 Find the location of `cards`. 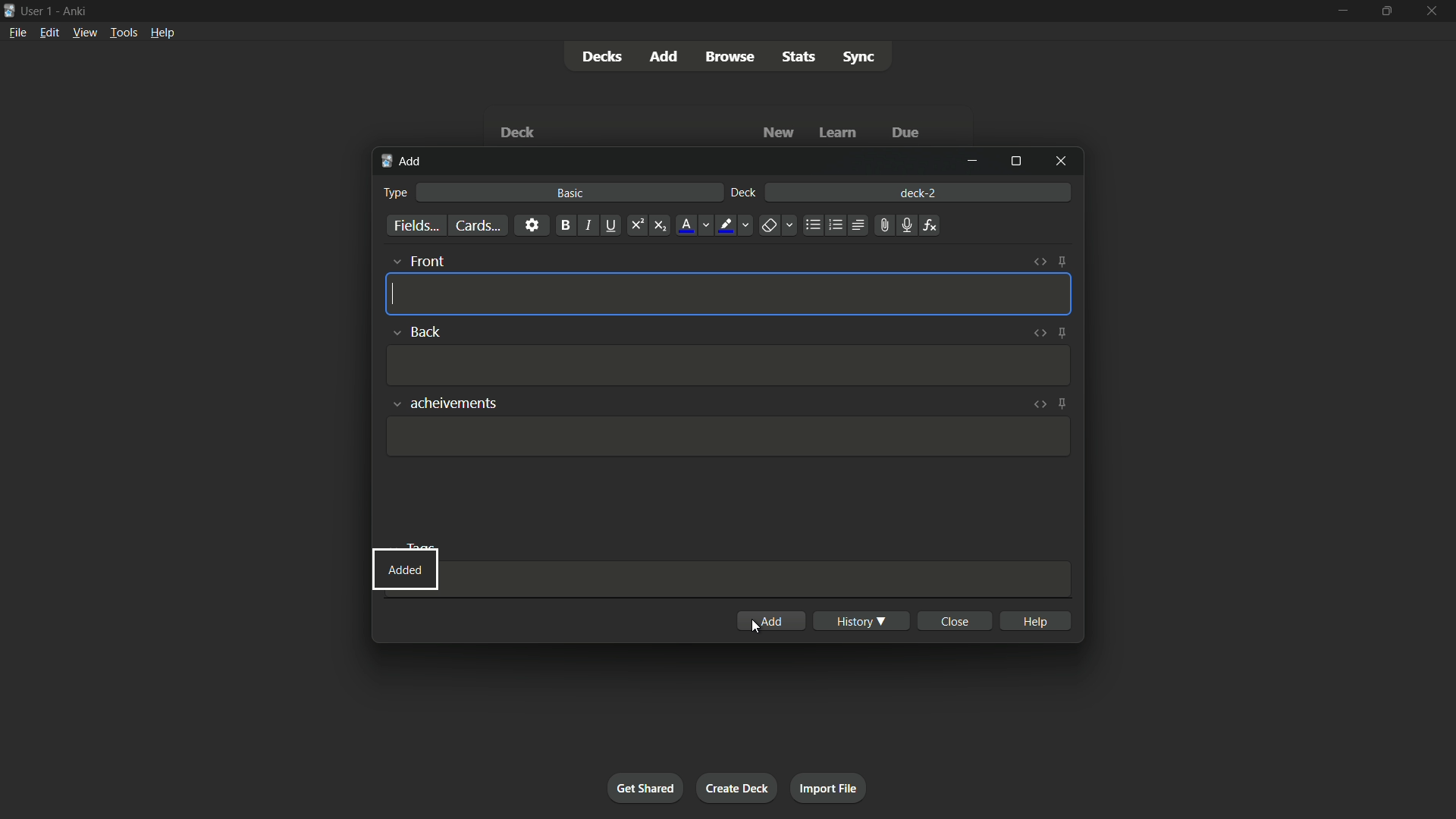

cards is located at coordinates (479, 225).